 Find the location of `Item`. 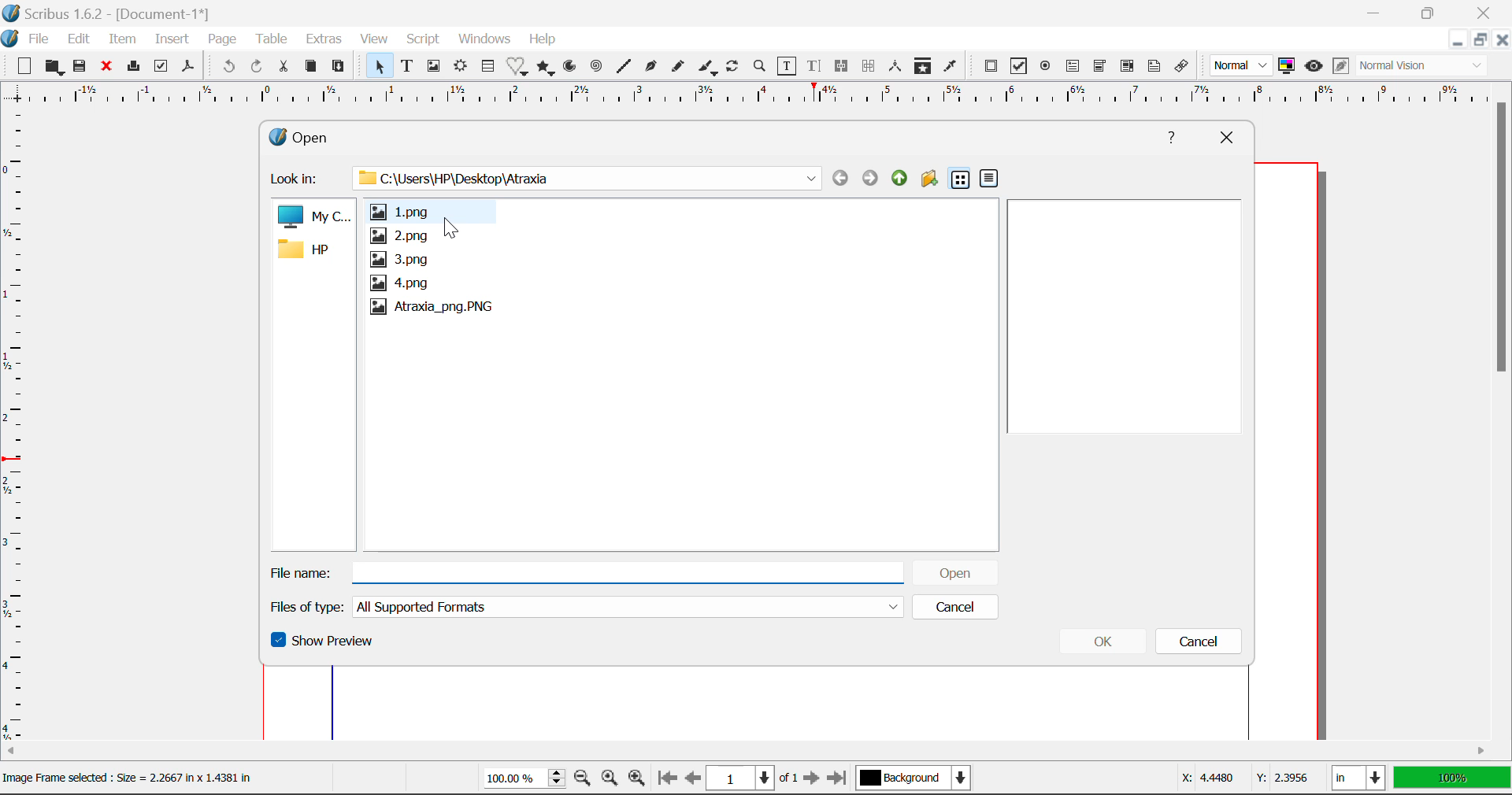

Item is located at coordinates (123, 40).